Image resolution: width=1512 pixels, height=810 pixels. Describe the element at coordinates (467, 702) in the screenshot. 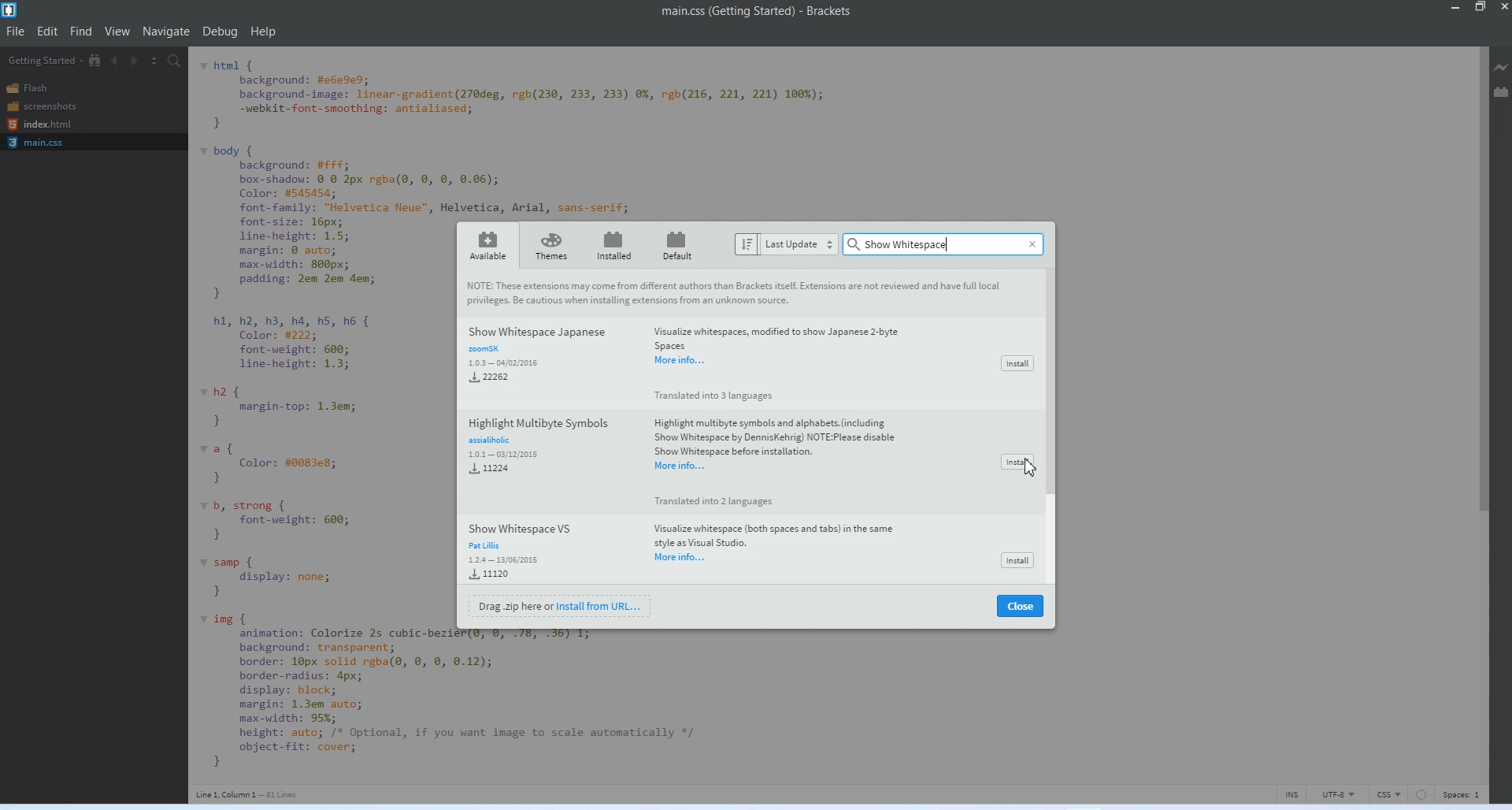

I see `Code` at that location.